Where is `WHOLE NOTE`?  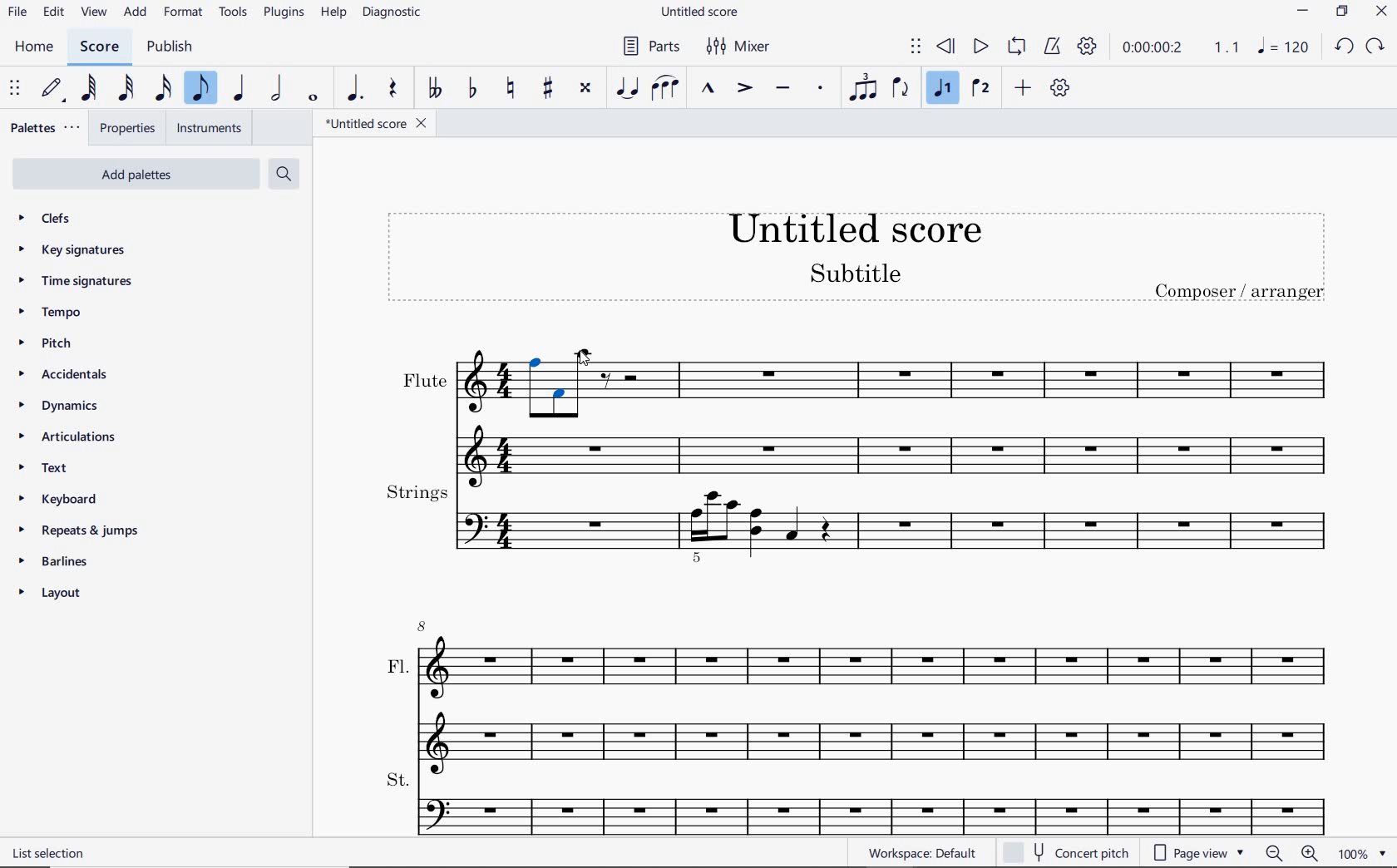
WHOLE NOTE is located at coordinates (313, 98).